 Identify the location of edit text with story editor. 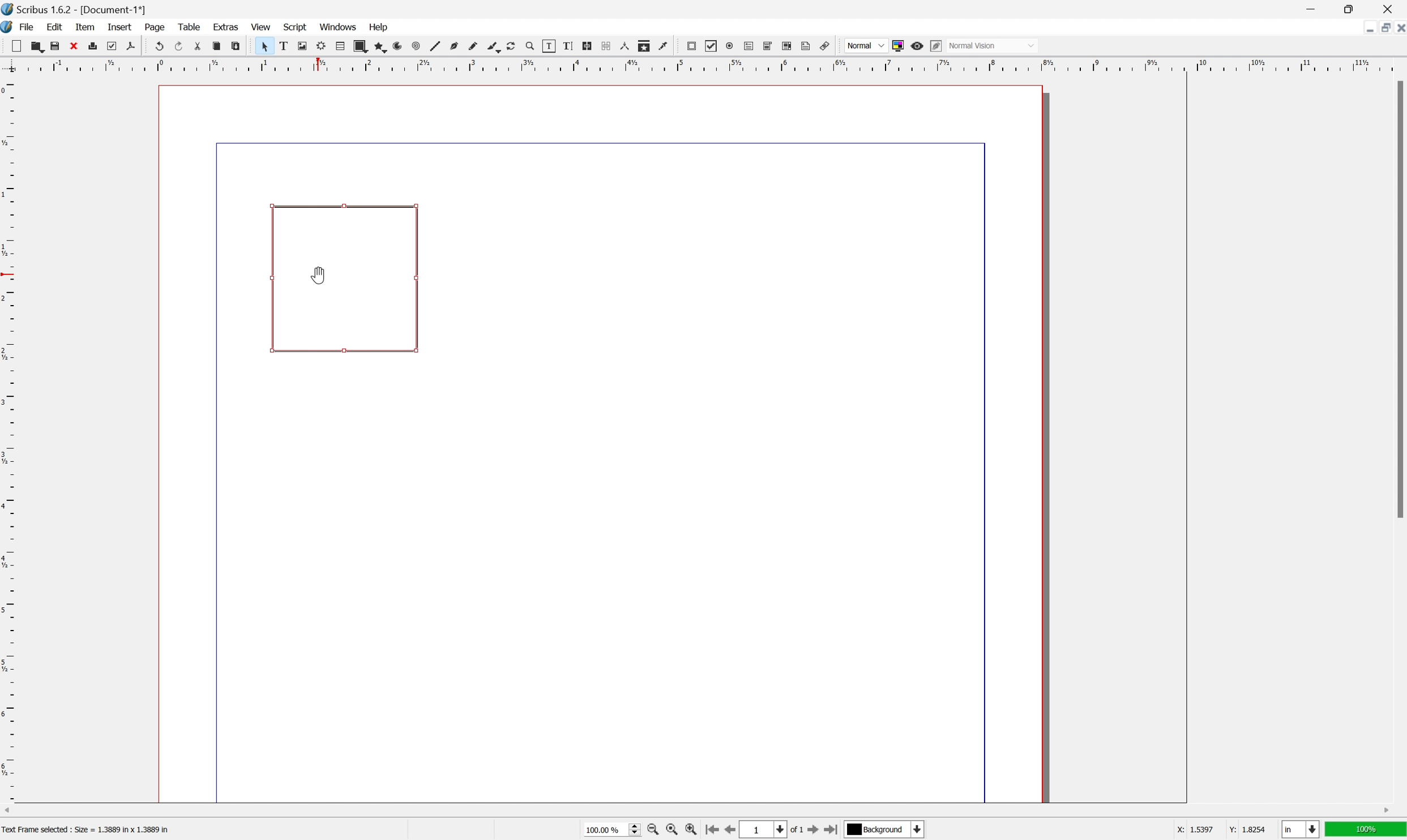
(567, 45).